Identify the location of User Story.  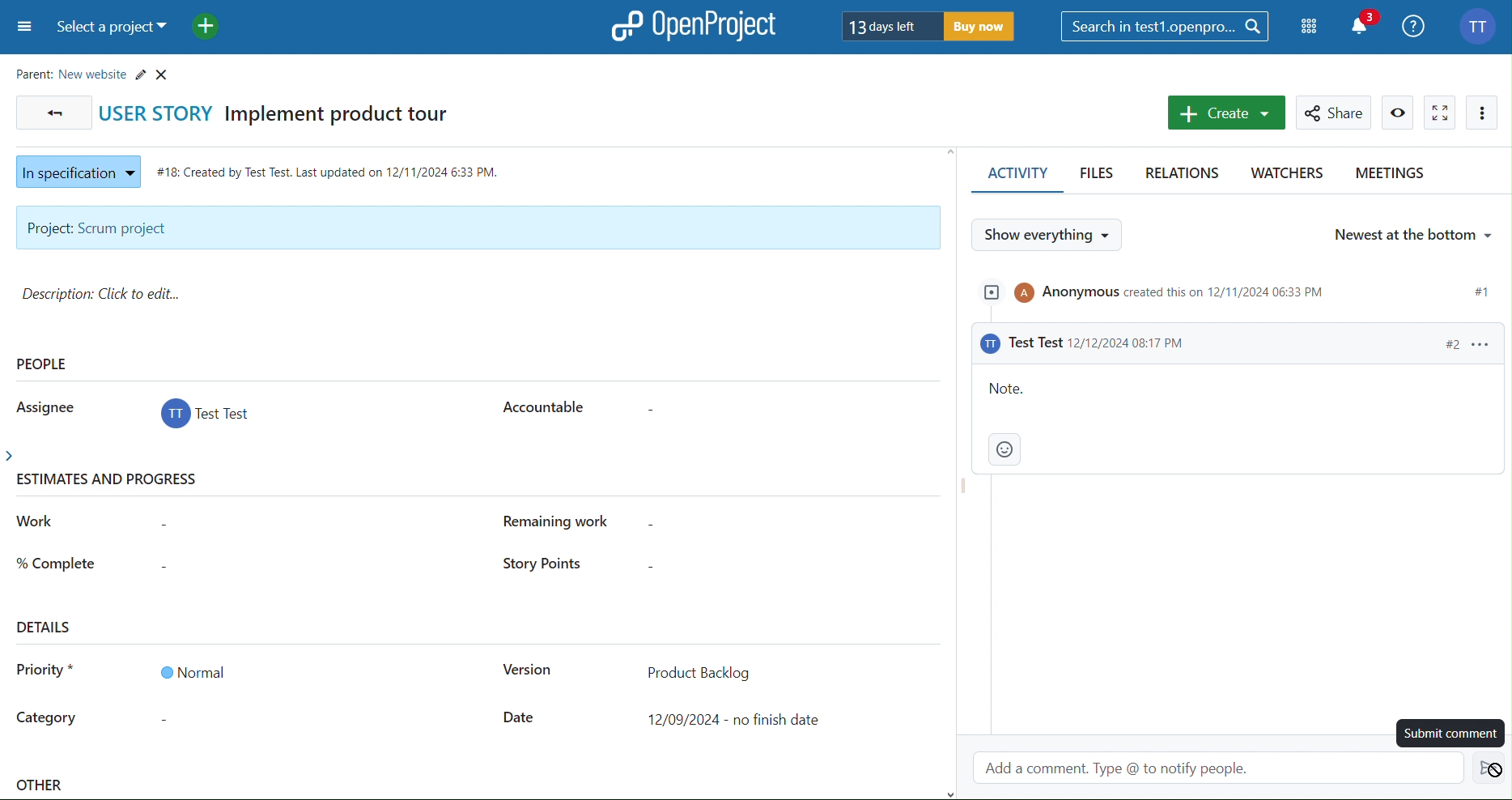
(284, 112).